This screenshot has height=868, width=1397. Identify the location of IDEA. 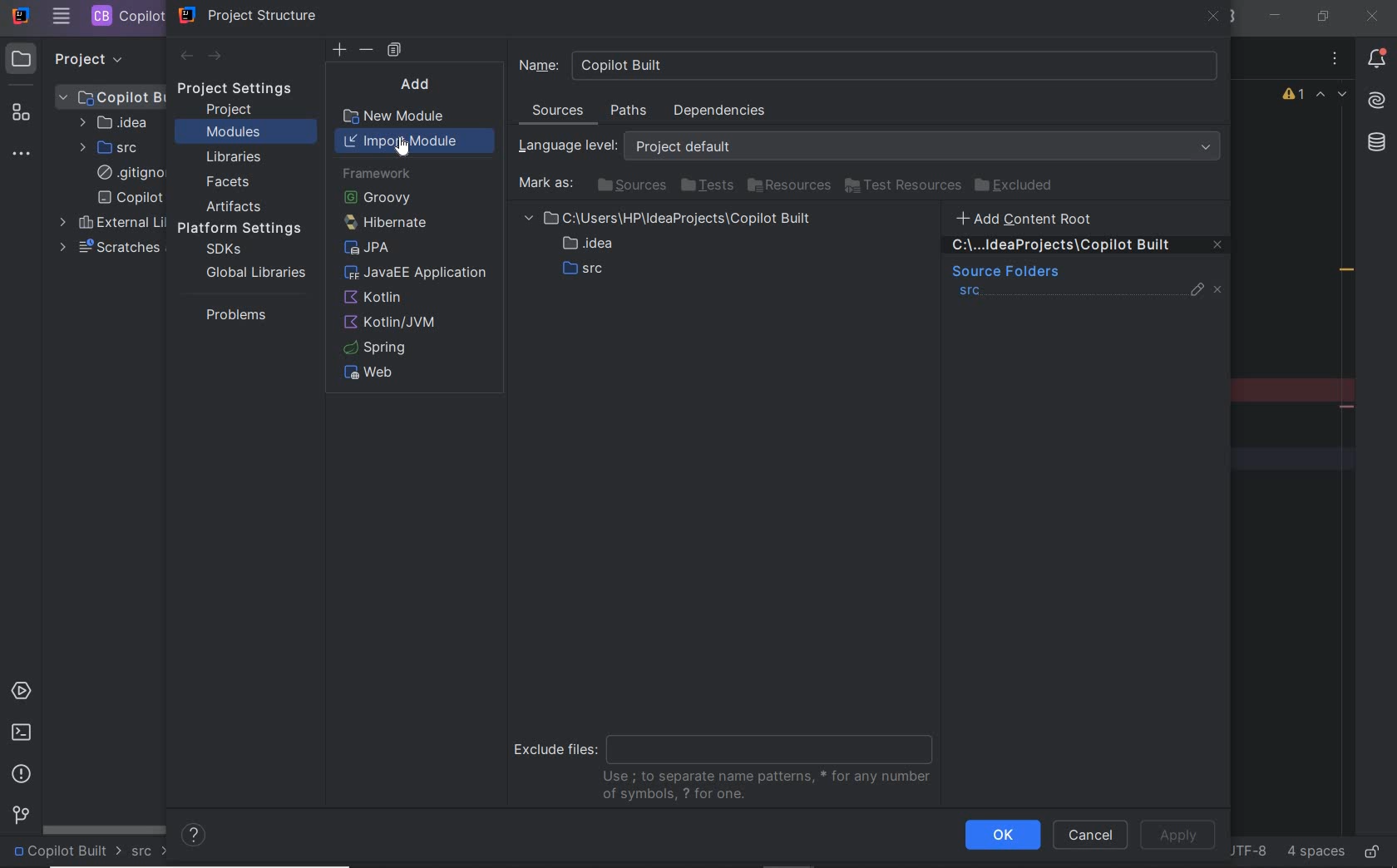
(112, 122).